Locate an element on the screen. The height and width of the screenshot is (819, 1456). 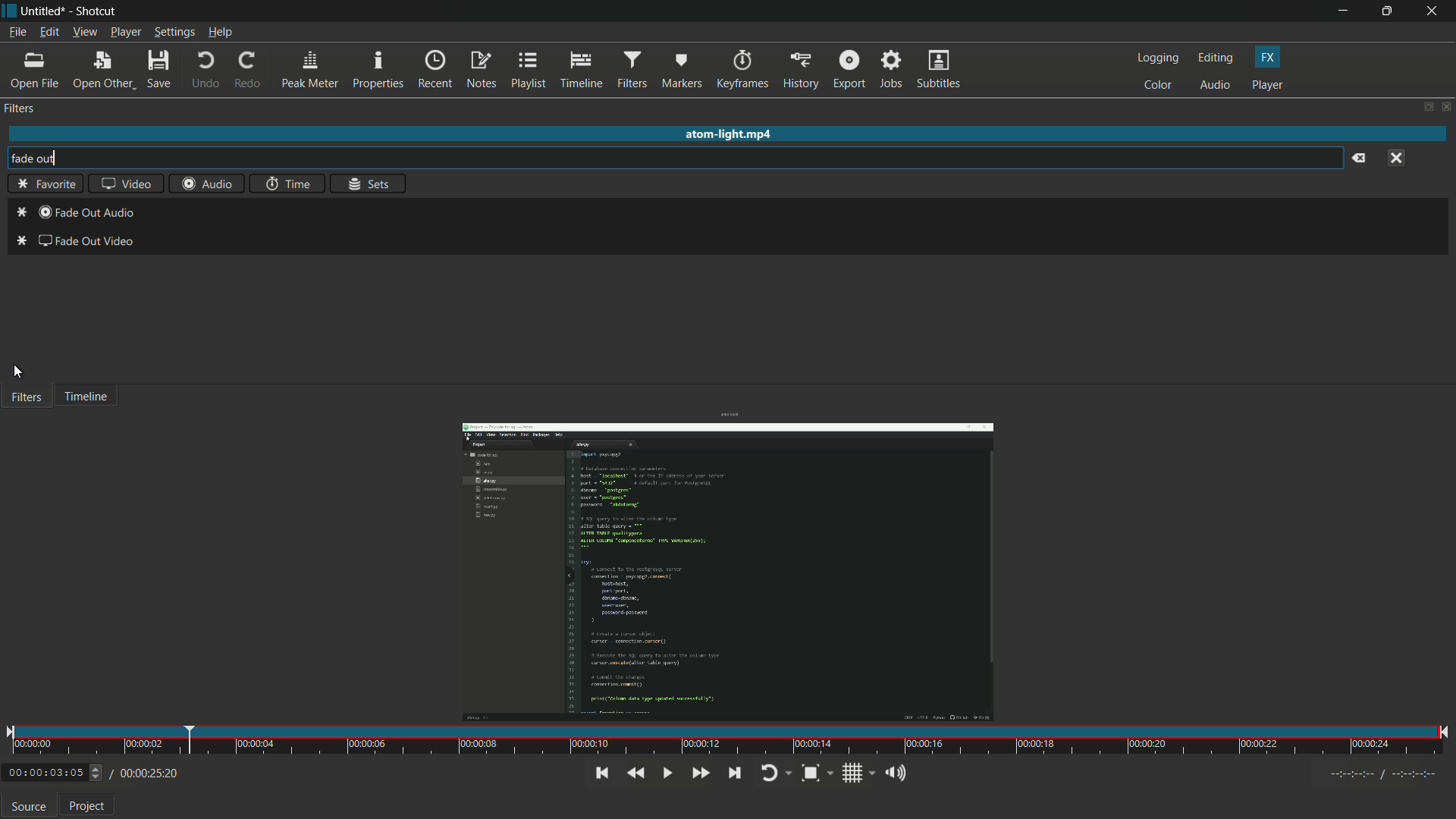
player menu is located at coordinates (126, 33).